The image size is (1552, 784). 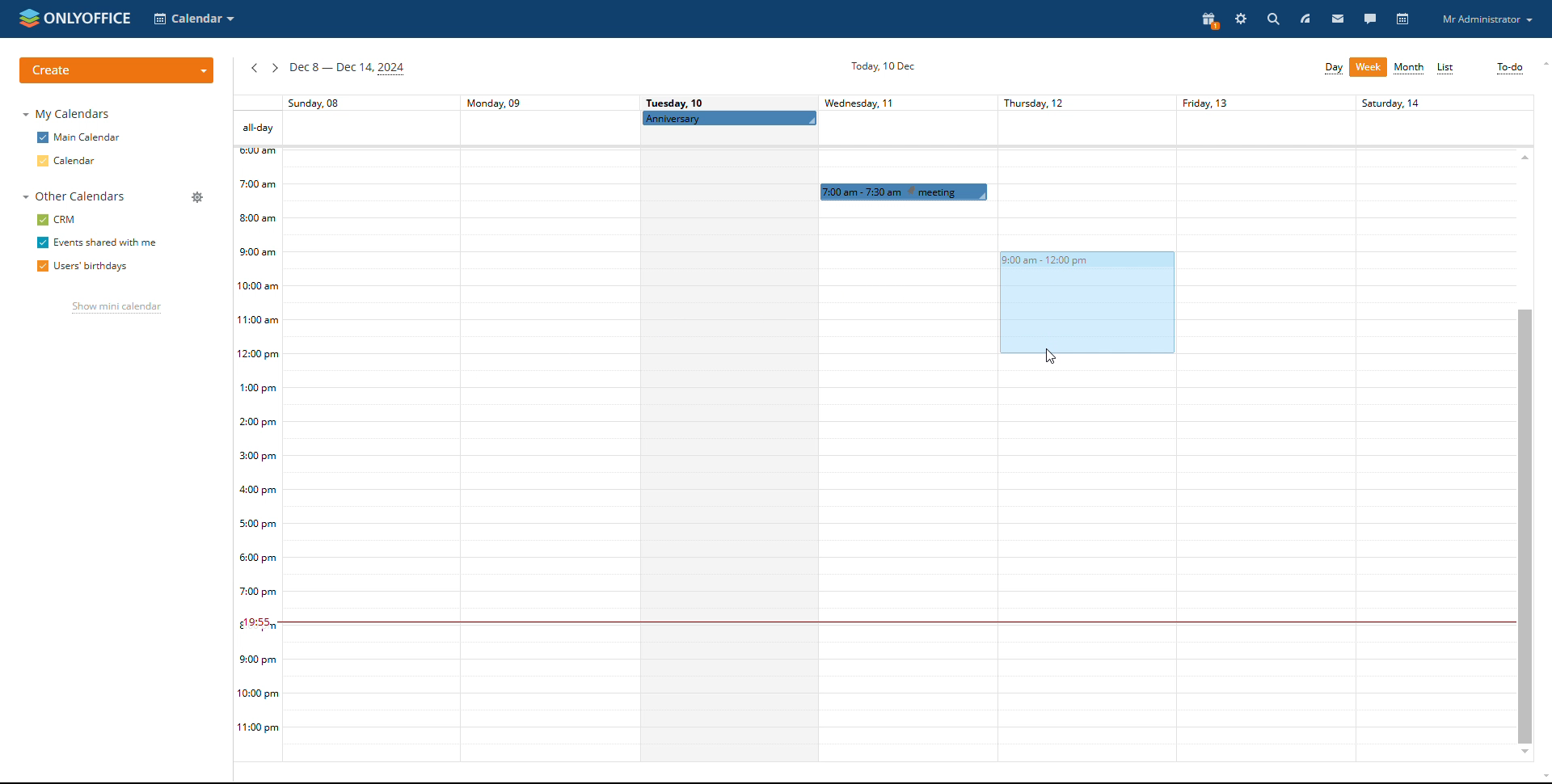 I want to click on sunday, so click(x=370, y=430).